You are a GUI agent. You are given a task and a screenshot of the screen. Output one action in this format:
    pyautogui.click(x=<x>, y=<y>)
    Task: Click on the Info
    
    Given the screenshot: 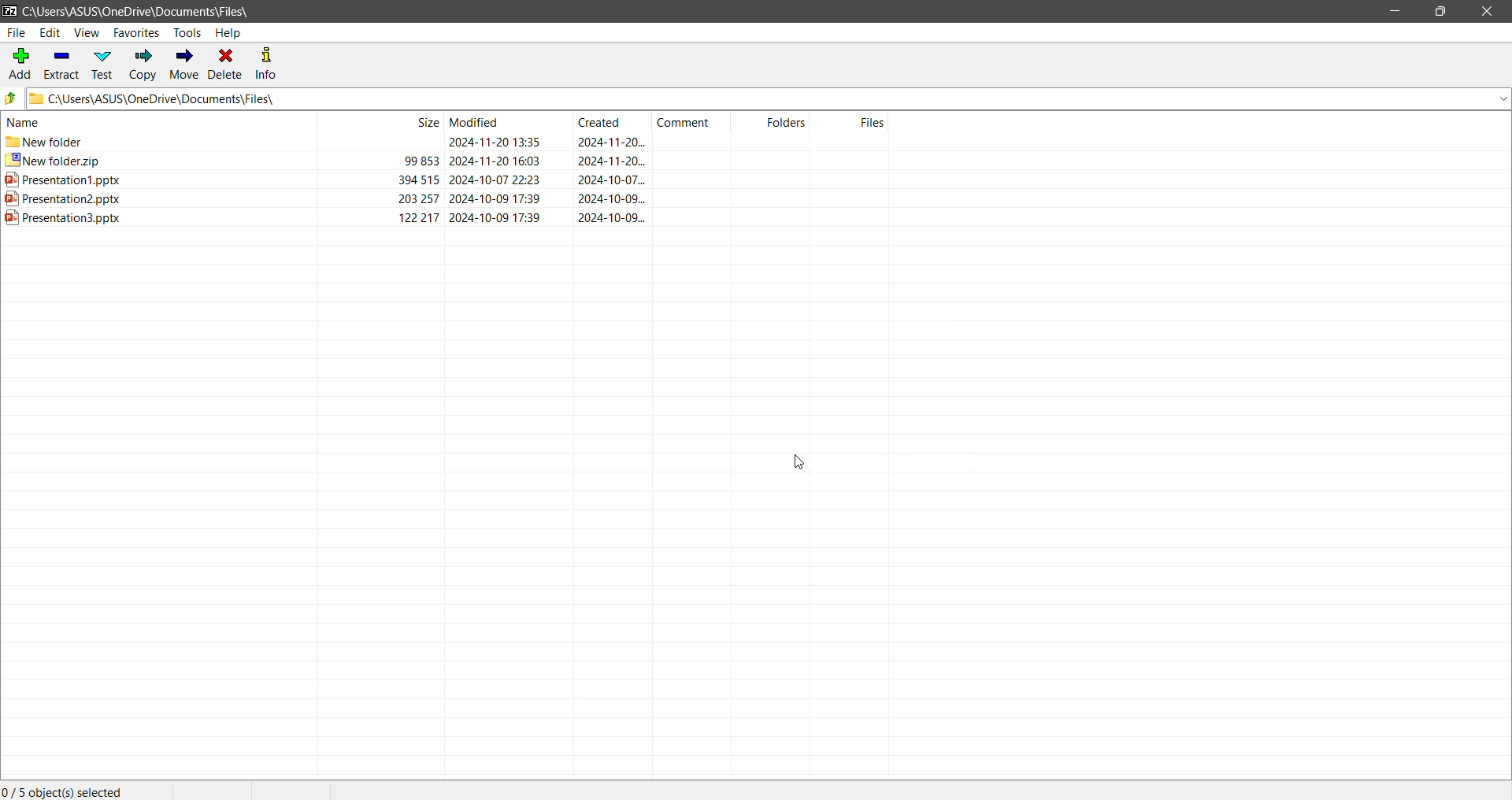 What is the action you would take?
    pyautogui.click(x=271, y=64)
    